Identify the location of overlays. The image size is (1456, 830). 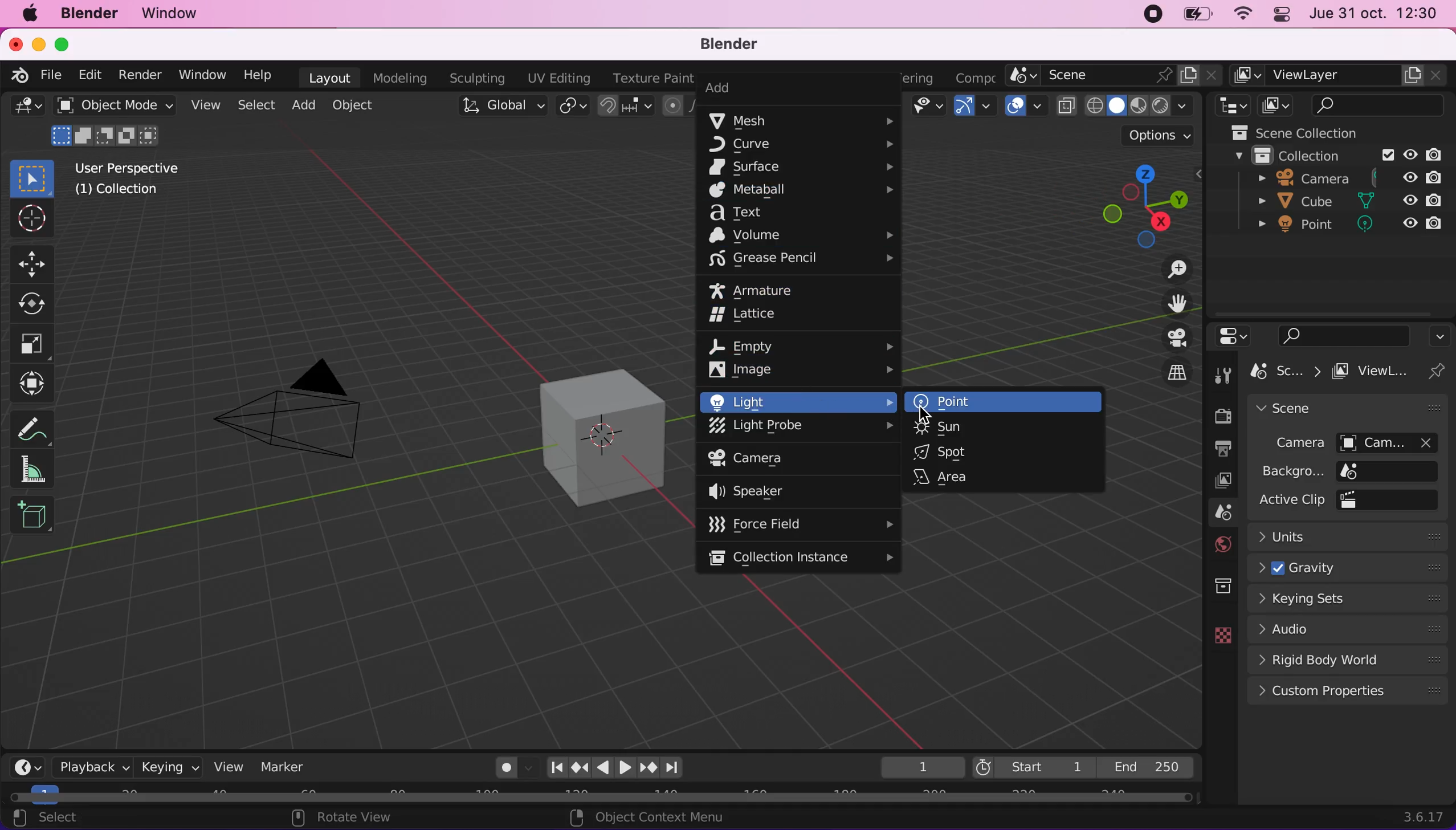
(1026, 109).